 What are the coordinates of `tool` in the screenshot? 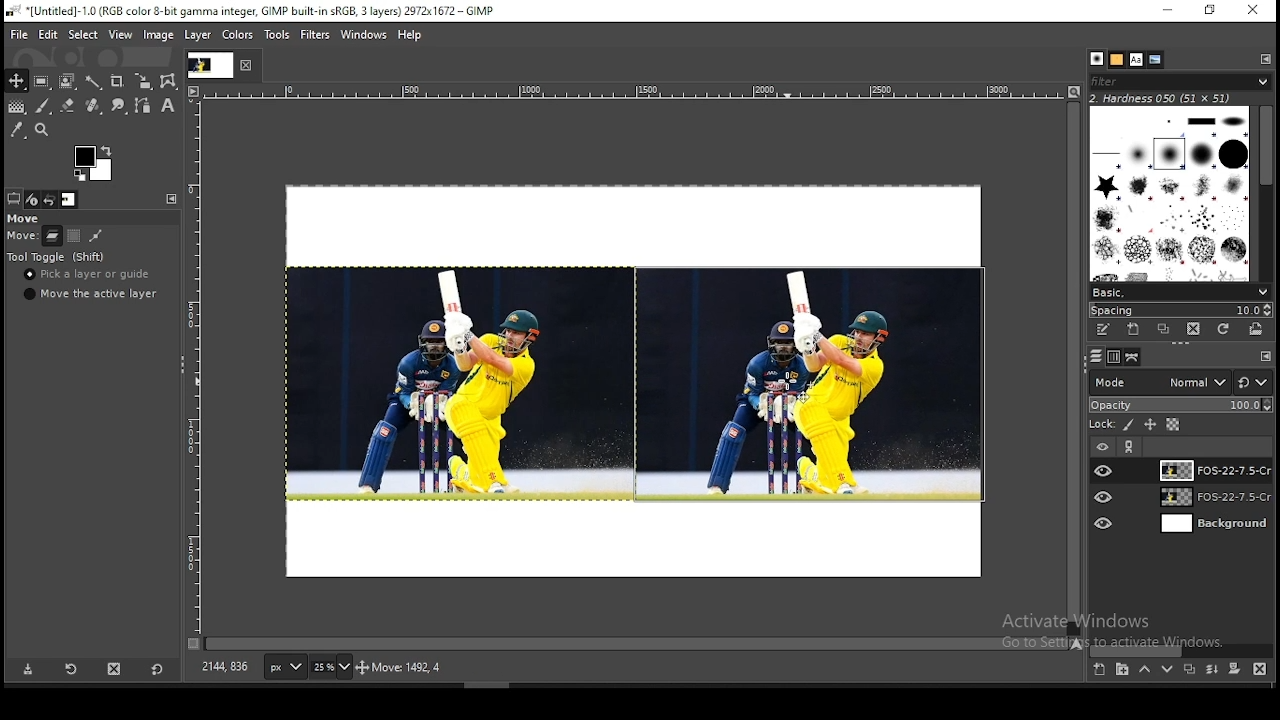 It's located at (1265, 58).